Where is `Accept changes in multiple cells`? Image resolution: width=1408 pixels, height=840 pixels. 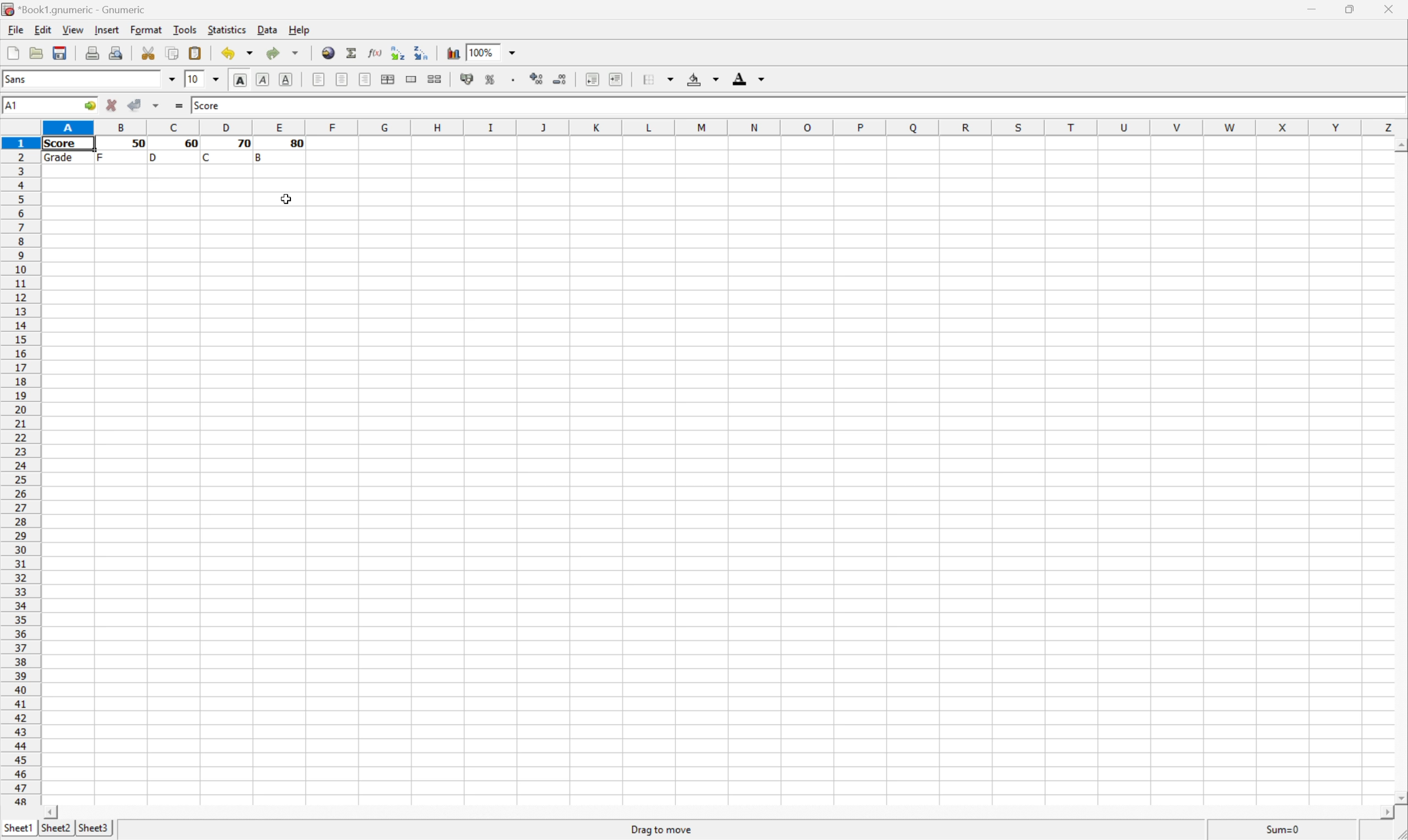
Accept changes in multiple cells is located at coordinates (159, 108).